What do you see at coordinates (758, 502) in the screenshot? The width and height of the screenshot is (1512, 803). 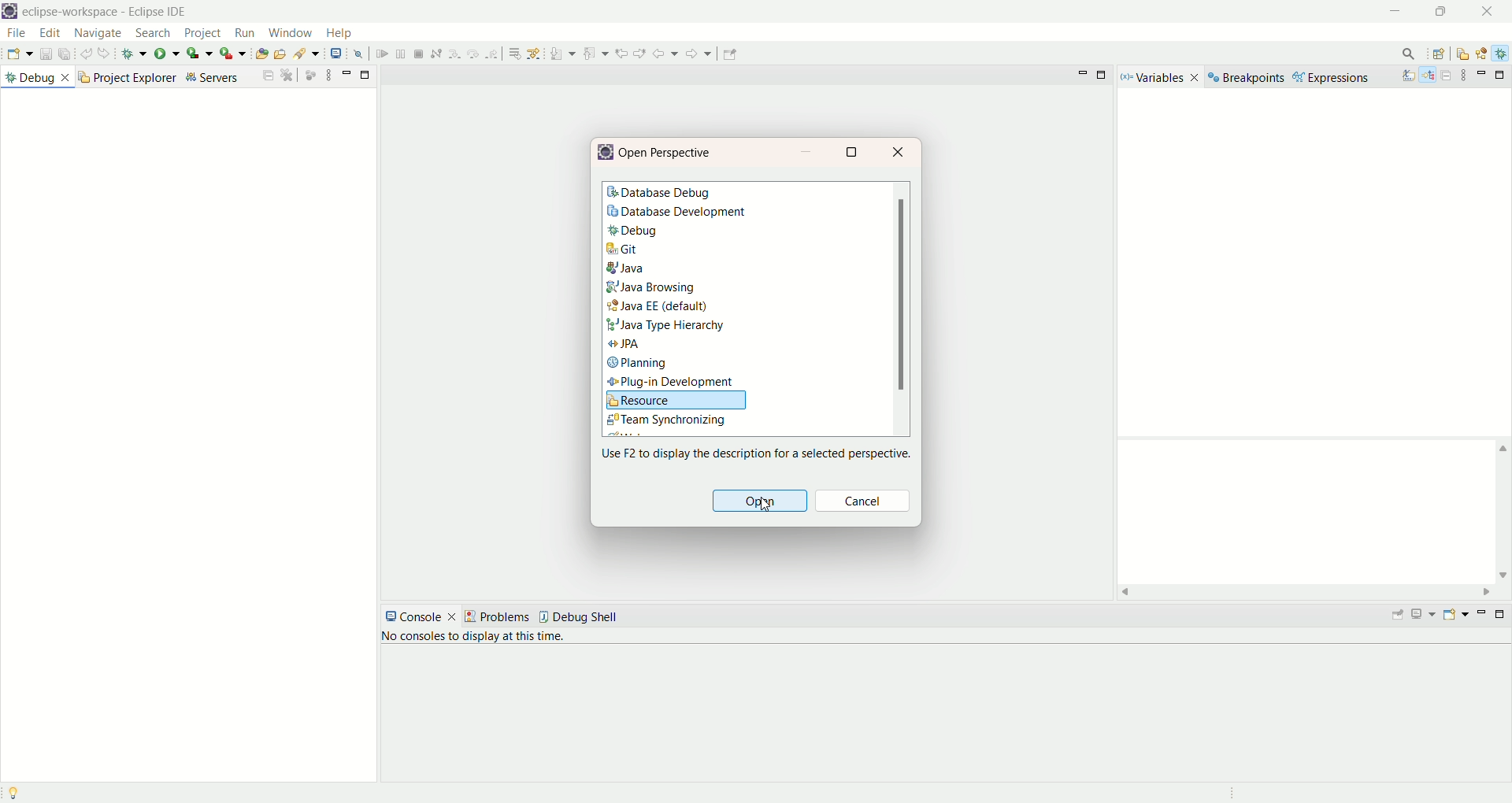 I see `open` at bounding box center [758, 502].